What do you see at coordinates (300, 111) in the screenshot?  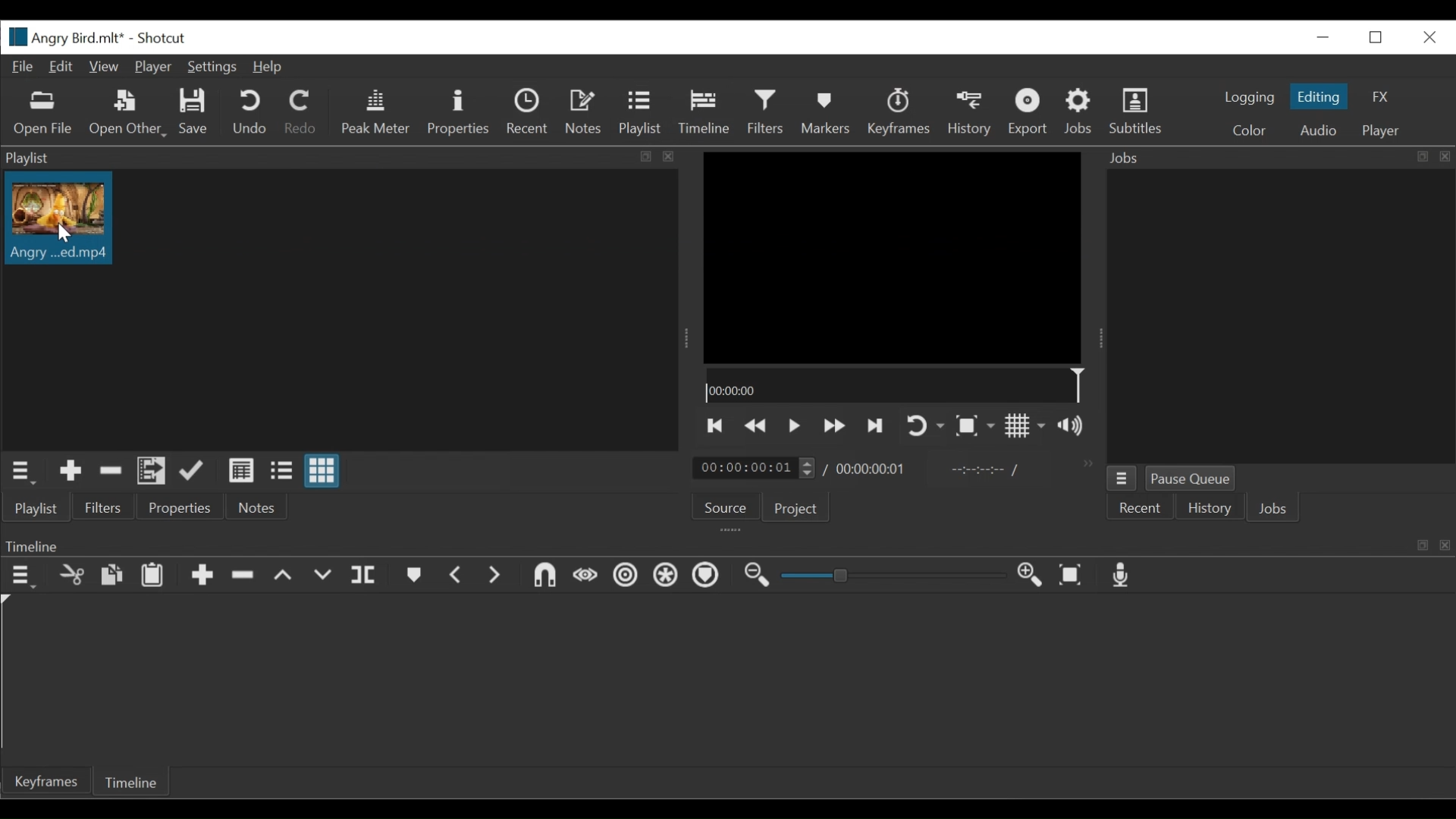 I see `Redo` at bounding box center [300, 111].